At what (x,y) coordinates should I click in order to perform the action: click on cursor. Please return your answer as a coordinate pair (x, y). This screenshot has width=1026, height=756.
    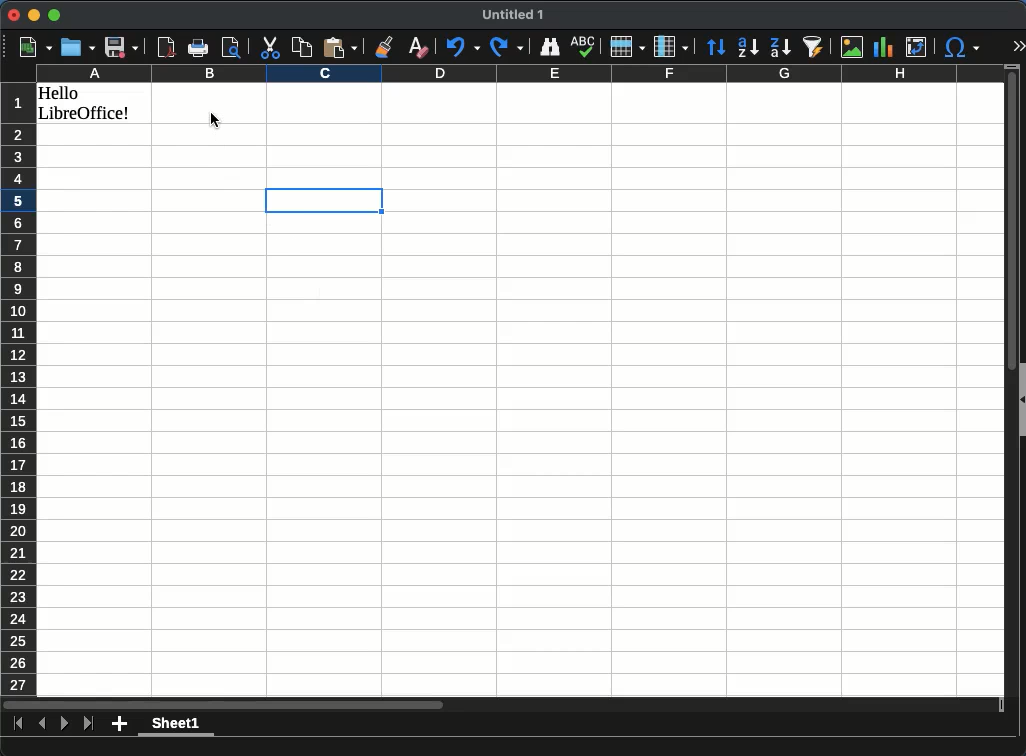
    Looking at the image, I should click on (216, 120).